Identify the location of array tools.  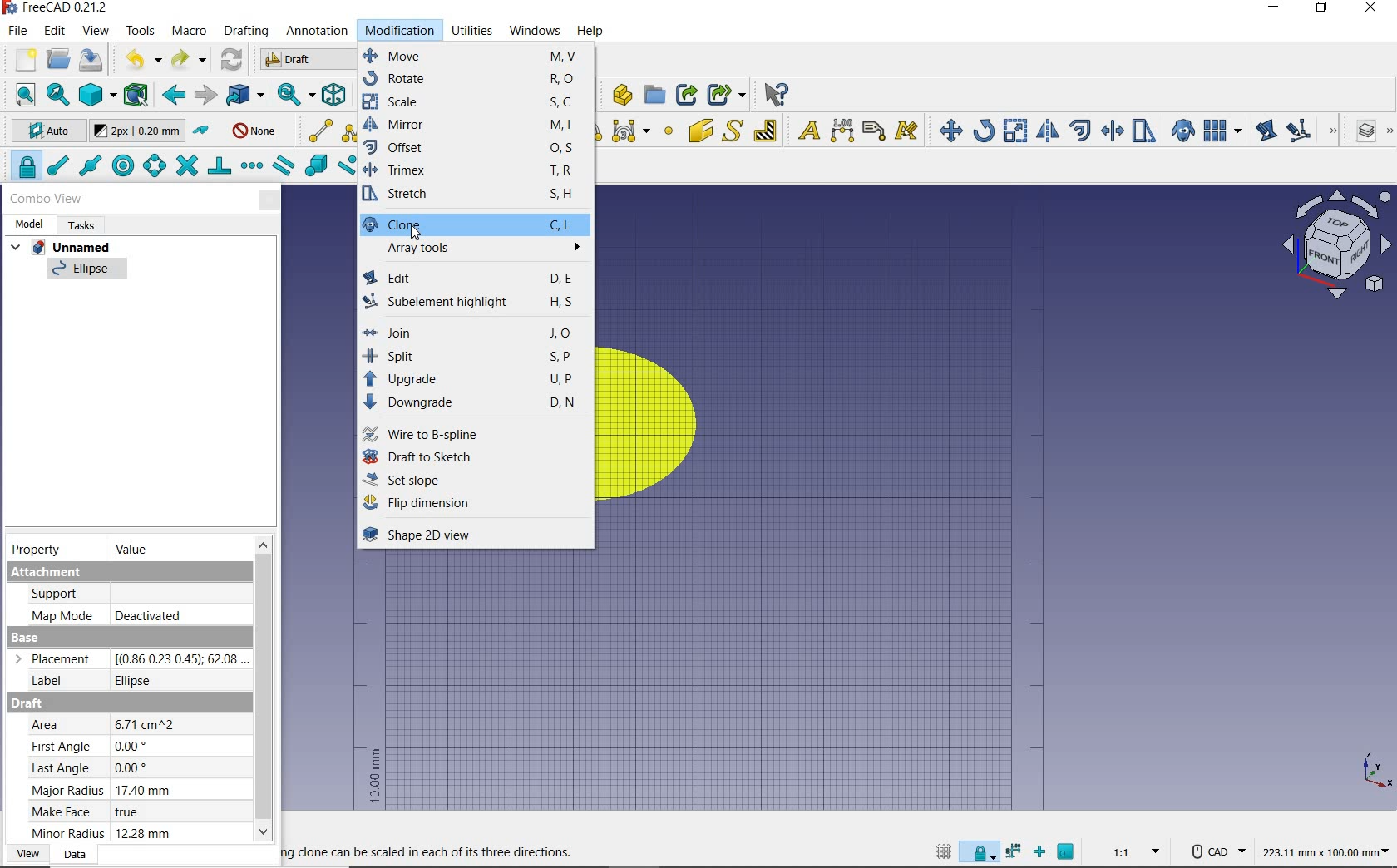
(472, 249).